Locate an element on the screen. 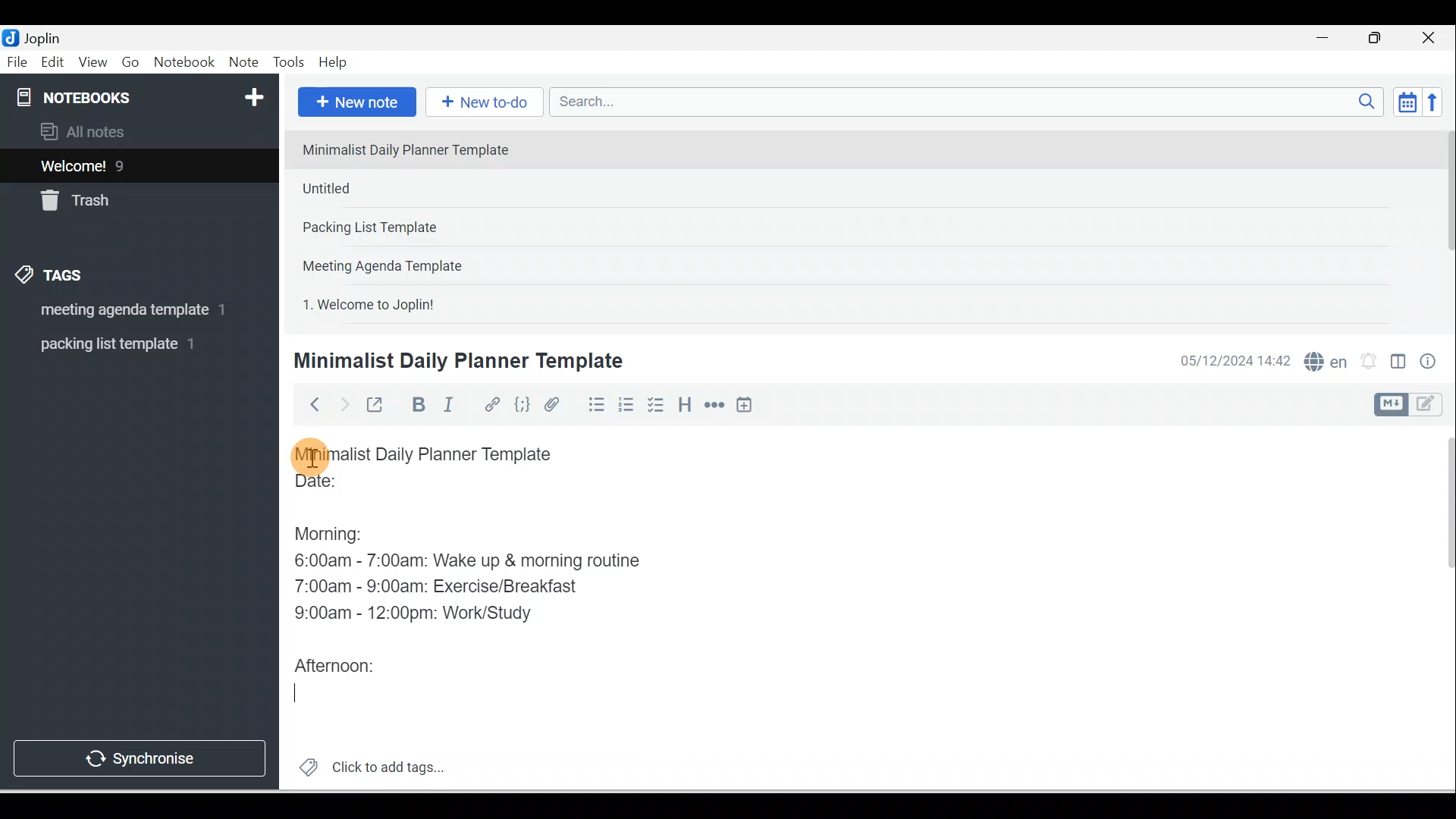 The image size is (1456, 819). Close is located at coordinates (1432, 38).